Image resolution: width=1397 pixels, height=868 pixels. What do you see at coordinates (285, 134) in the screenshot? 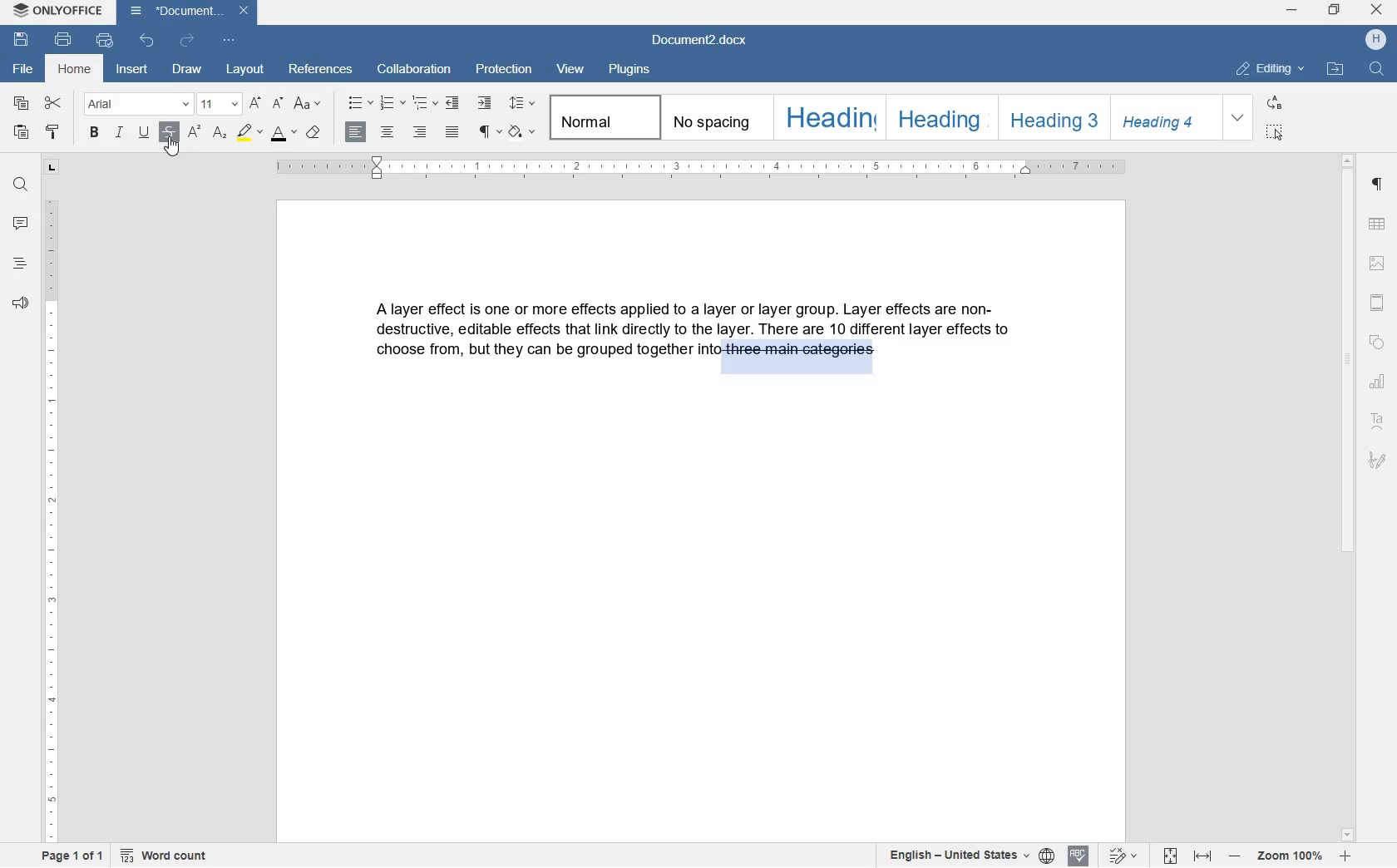
I see `font color ` at bounding box center [285, 134].